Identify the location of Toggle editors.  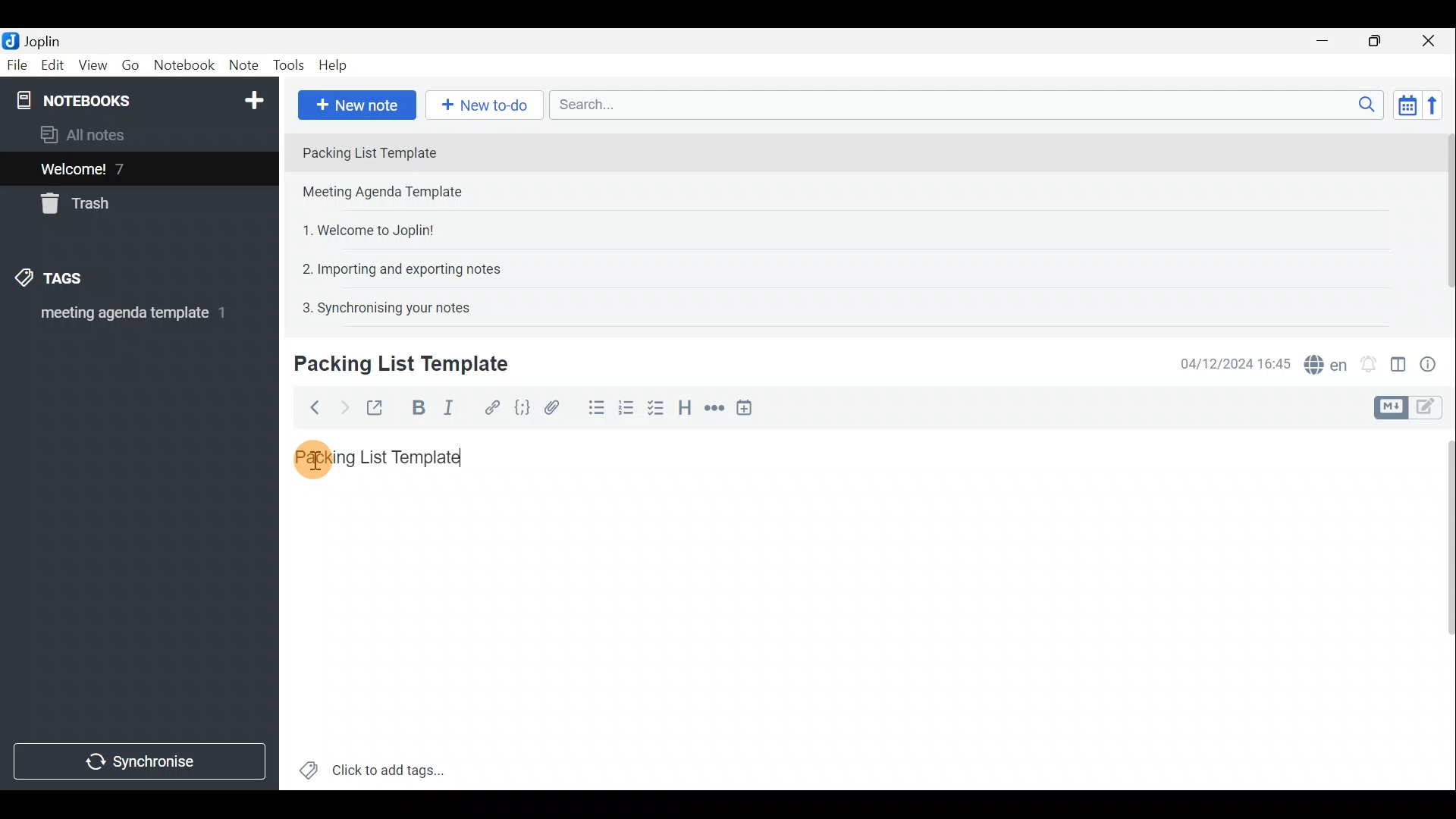
(1393, 406).